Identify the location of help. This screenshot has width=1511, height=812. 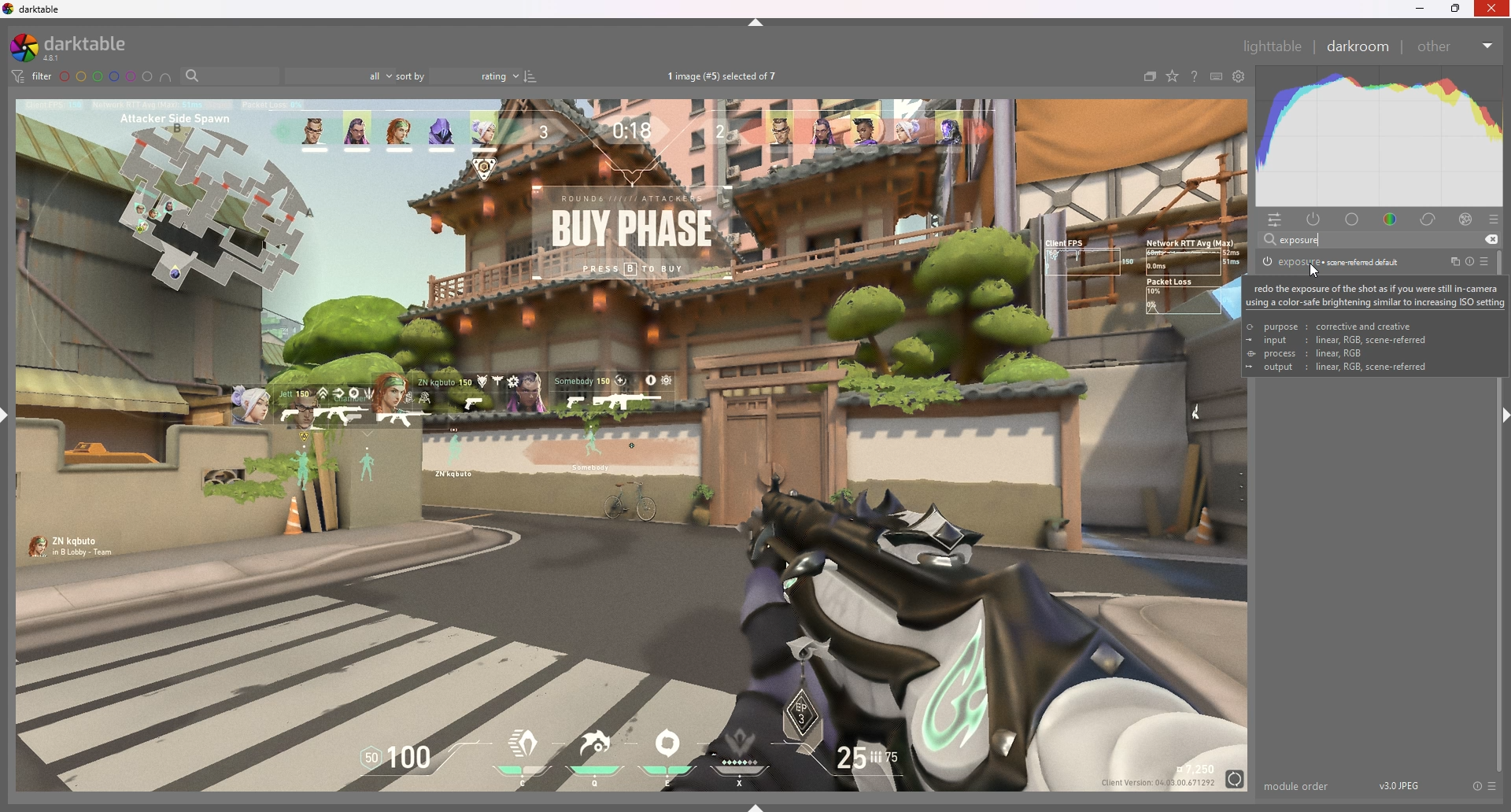
(1192, 76).